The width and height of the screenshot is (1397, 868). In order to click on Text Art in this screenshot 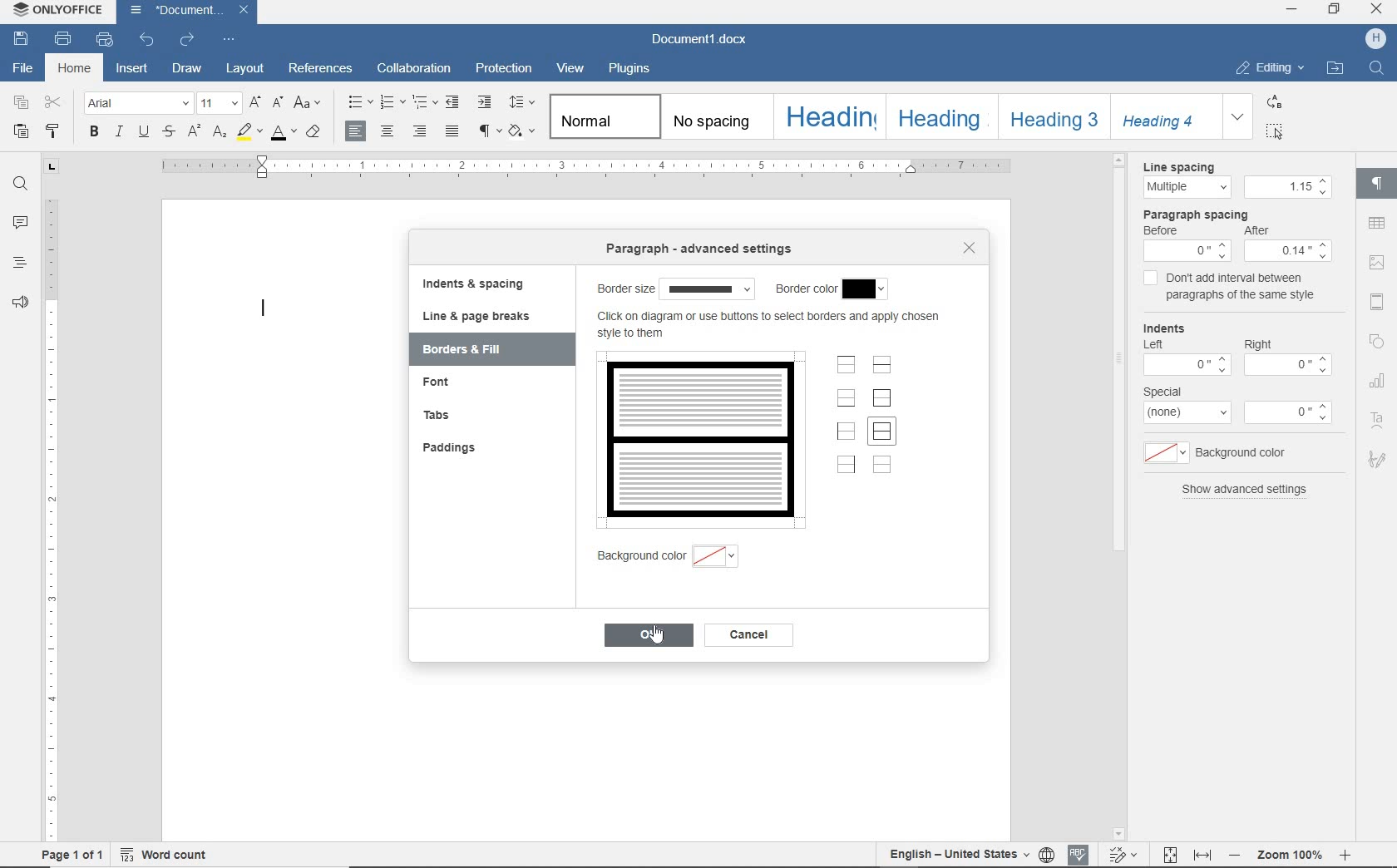, I will do `click(1379, 421)`.